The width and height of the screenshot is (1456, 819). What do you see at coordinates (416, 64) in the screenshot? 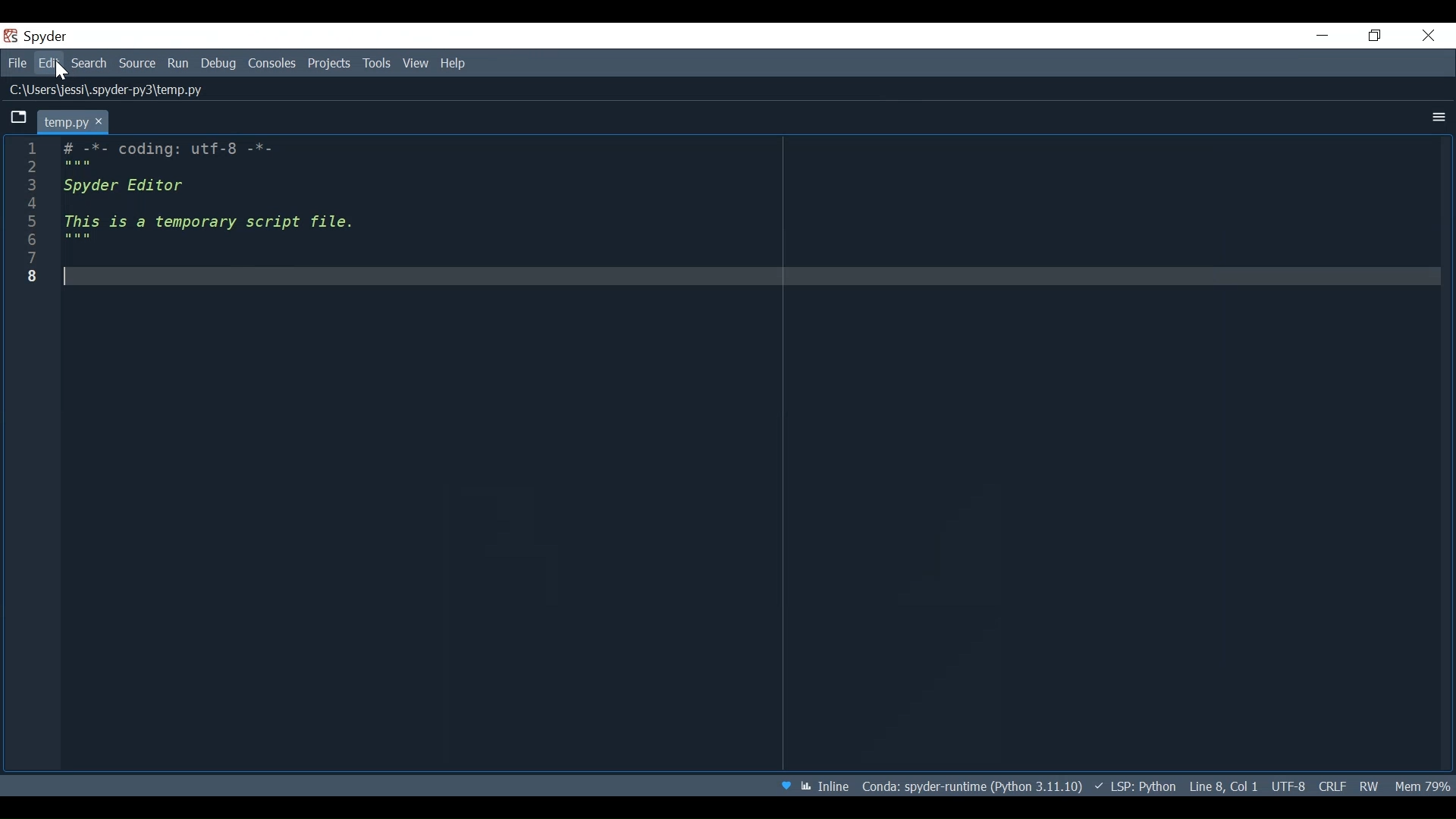
I see `View` at bounding box center [416, 64].